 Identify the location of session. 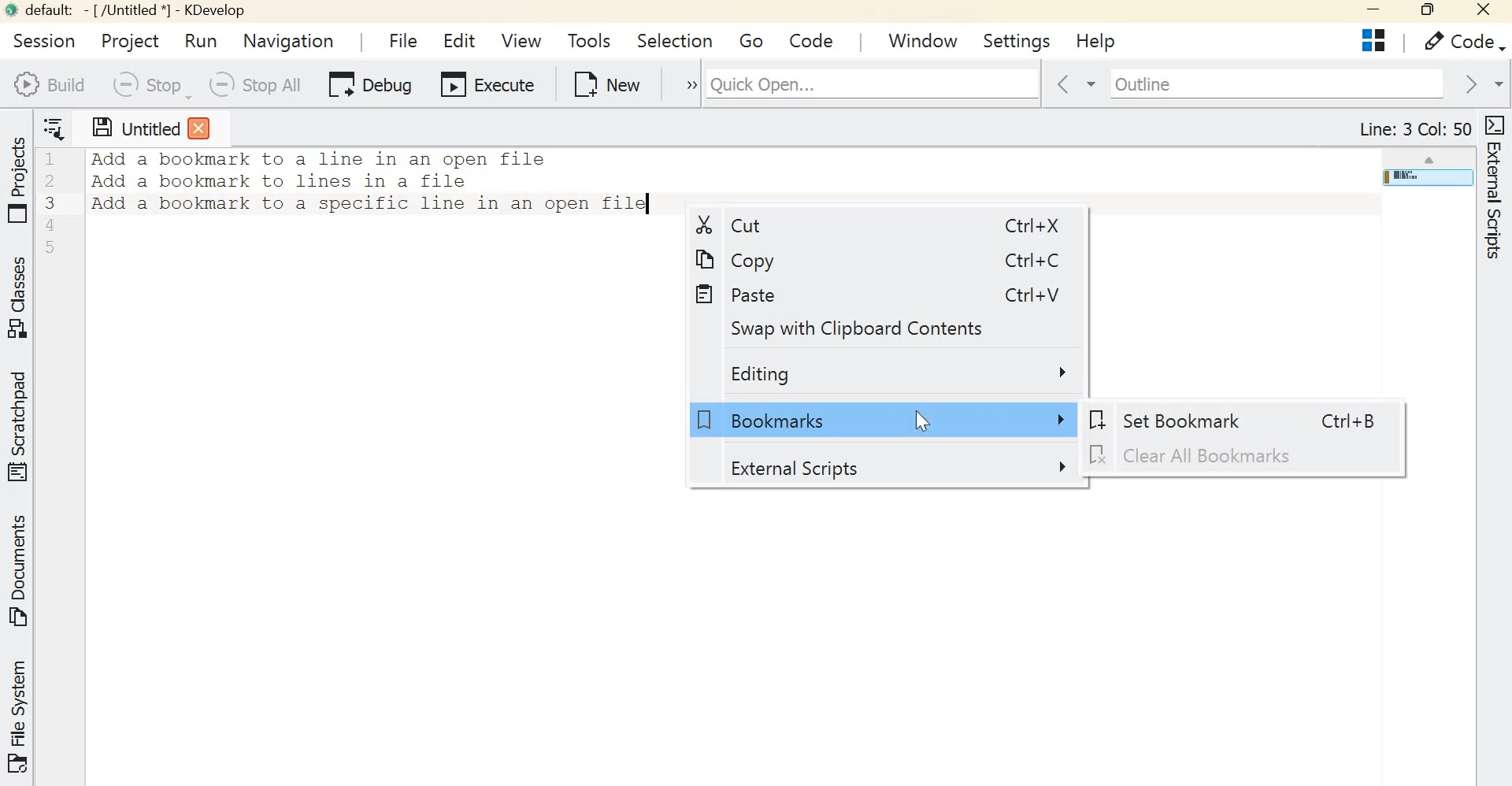
(44, 40).